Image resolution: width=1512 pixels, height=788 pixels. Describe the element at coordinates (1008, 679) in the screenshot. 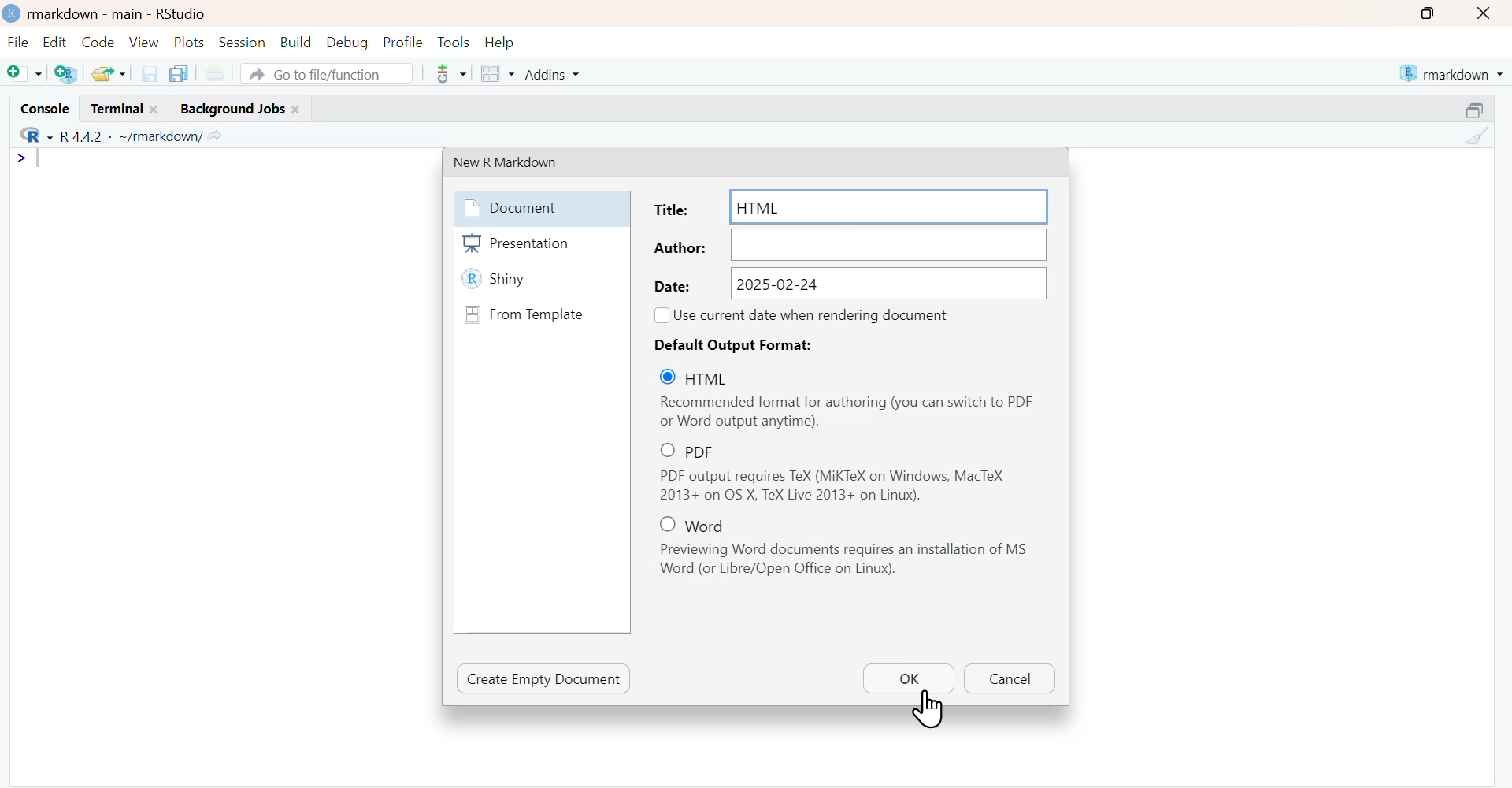

I see `Cancel` at that location.